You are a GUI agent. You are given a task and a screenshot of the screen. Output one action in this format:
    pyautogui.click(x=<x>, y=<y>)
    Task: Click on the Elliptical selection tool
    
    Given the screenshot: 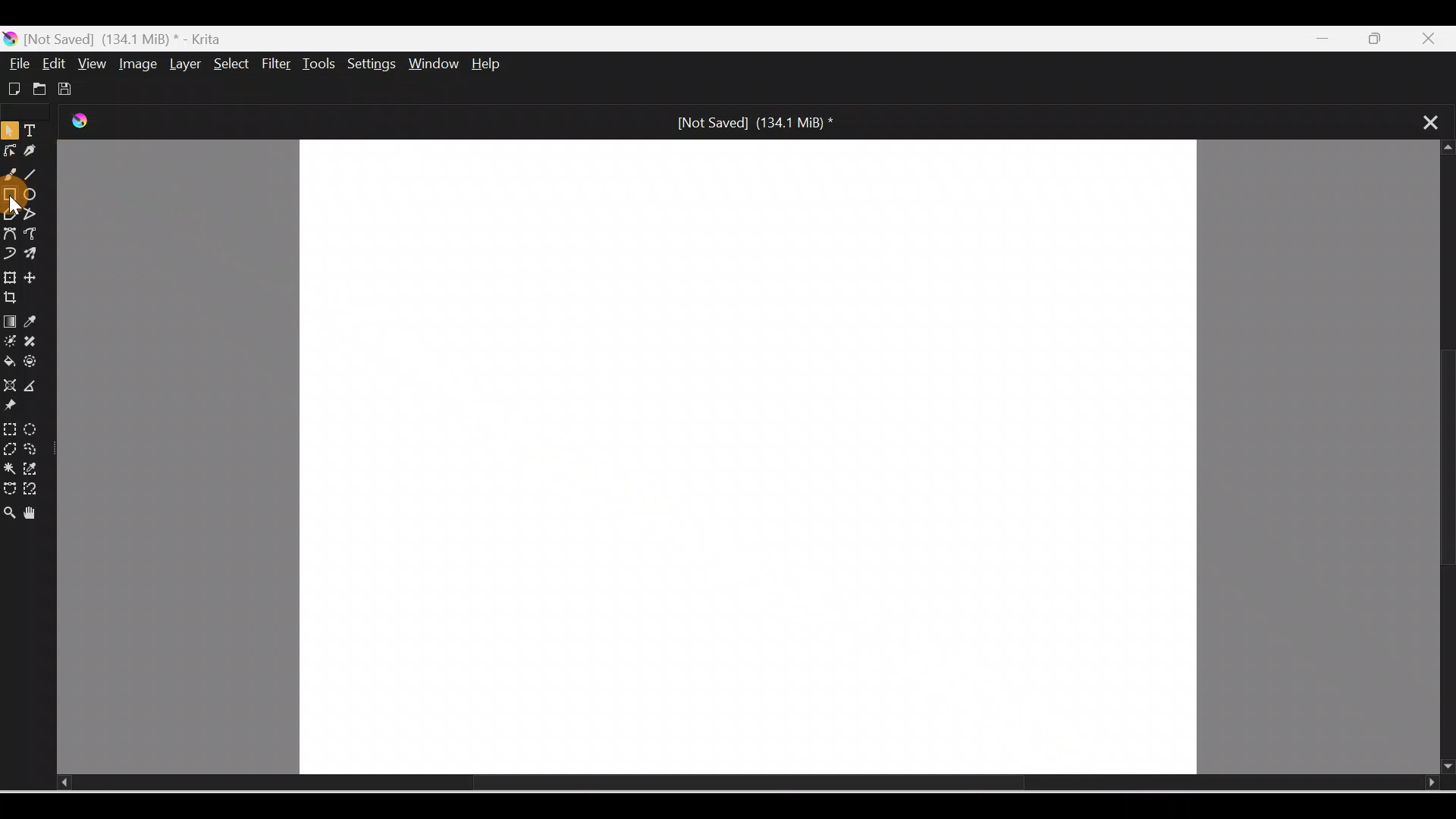 What is the action you would take?
    pyautogui.click(x=31, y=427)
    